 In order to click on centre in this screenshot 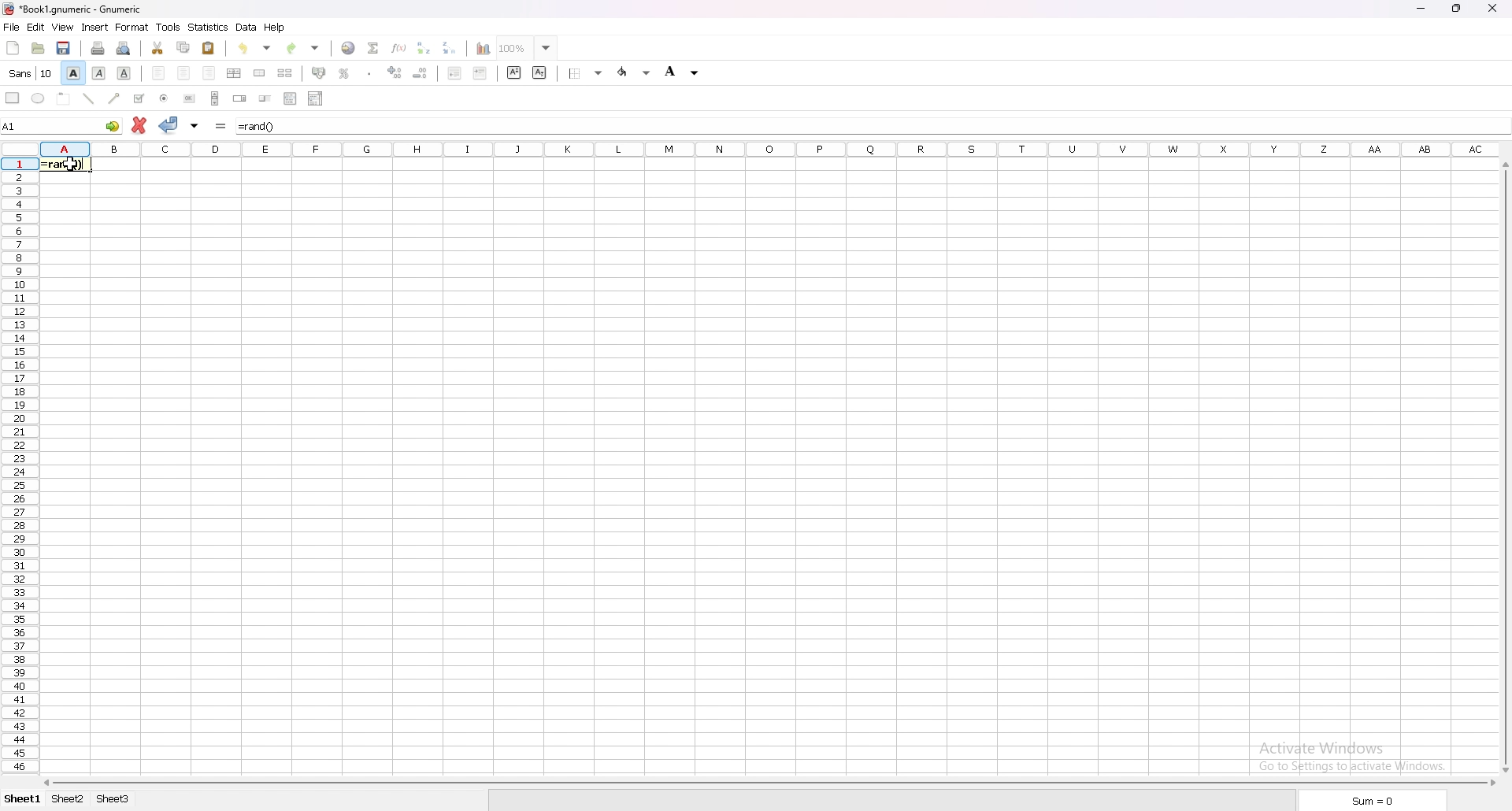, I will do `click(184, 74)`.